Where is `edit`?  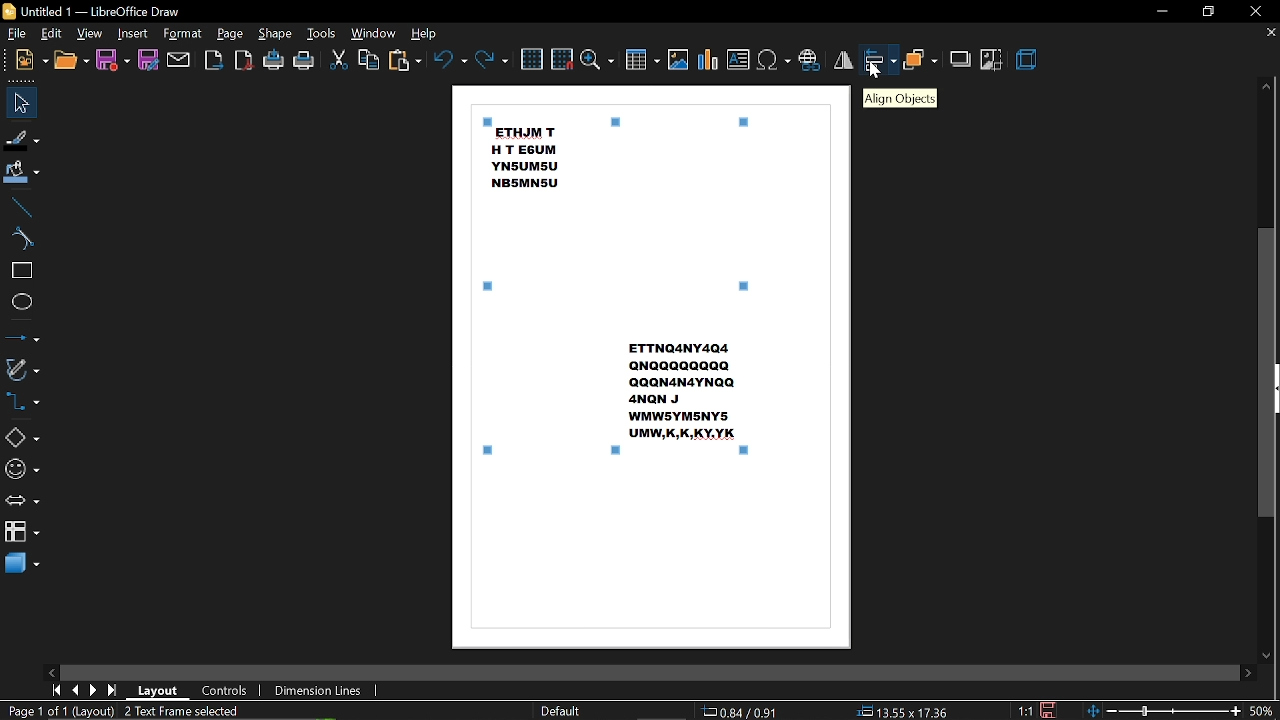
edit is located at coordinates (53, 34).